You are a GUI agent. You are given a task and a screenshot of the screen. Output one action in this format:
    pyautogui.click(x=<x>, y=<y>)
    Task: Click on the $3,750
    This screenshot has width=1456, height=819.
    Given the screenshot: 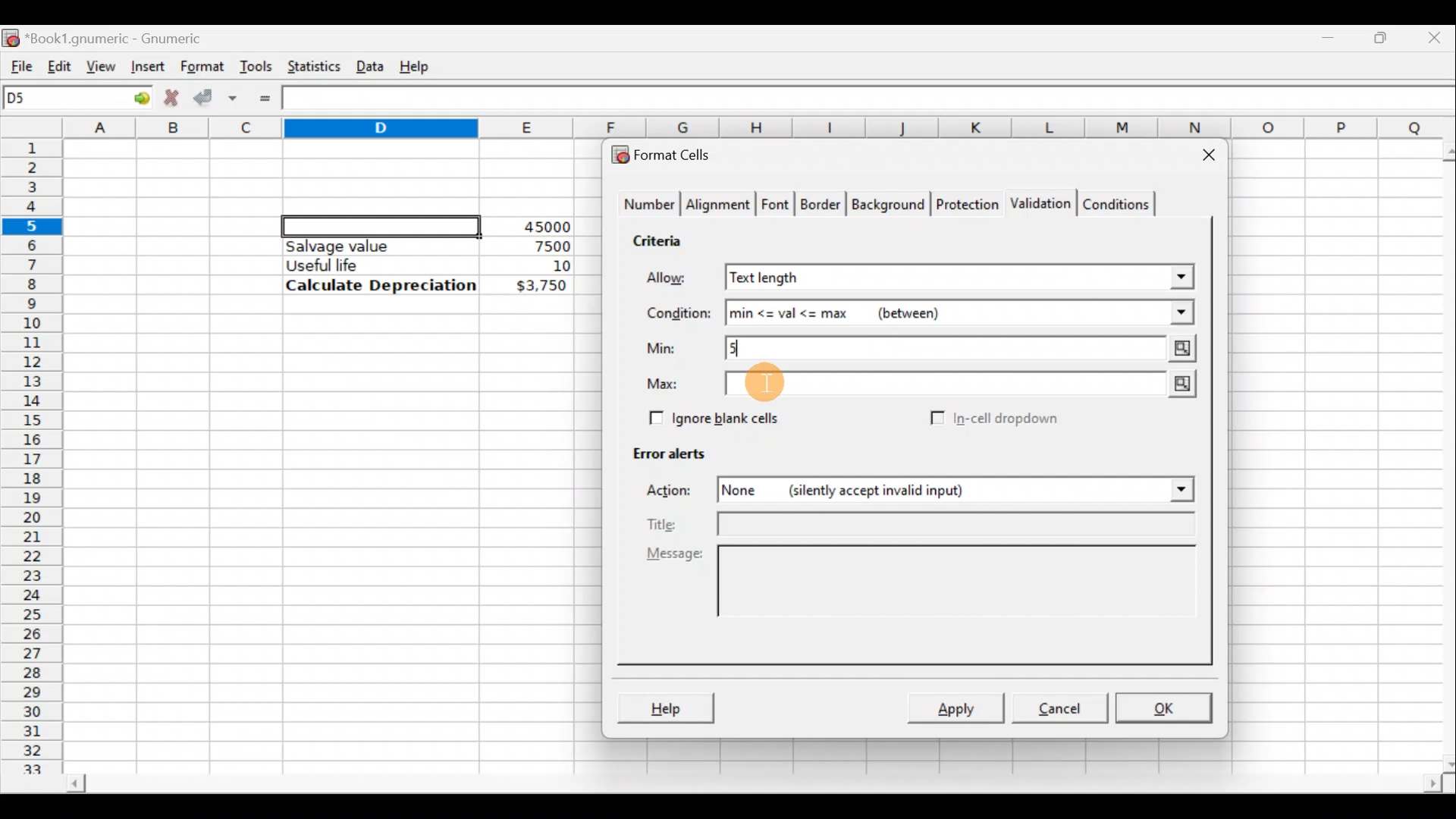 What is the action you would take?
    pyautogui.click(x=540, y=287)
    